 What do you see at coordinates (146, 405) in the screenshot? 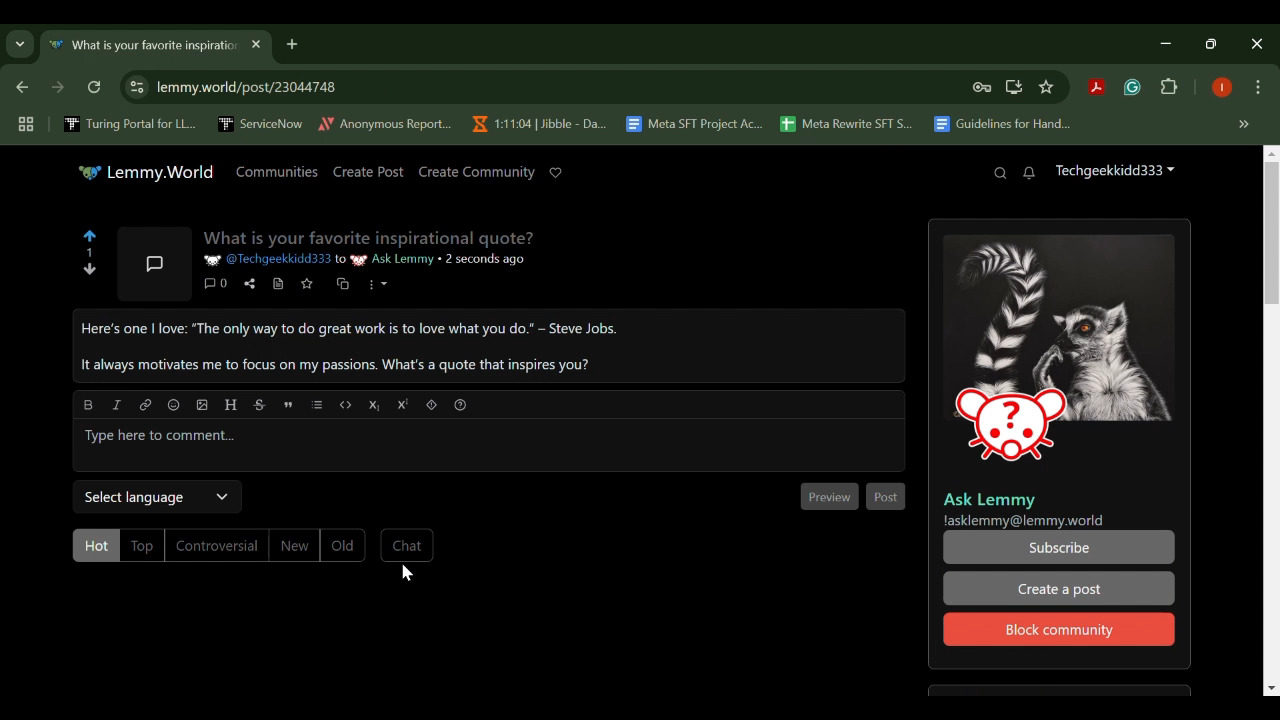
I see `link` at bounding box center [146, 405].